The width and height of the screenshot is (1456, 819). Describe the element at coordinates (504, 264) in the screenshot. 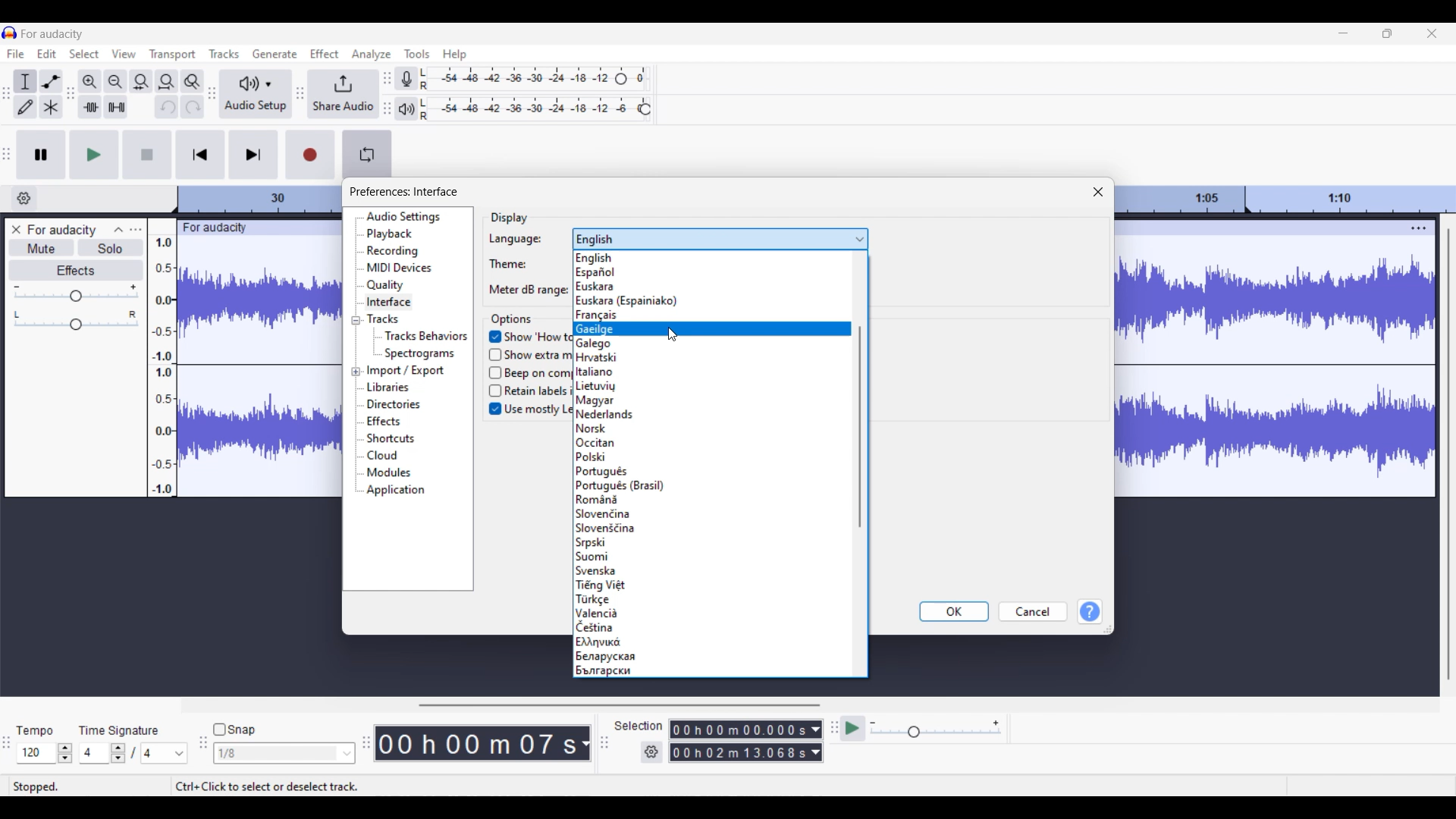

I see `Theme:` at that location.